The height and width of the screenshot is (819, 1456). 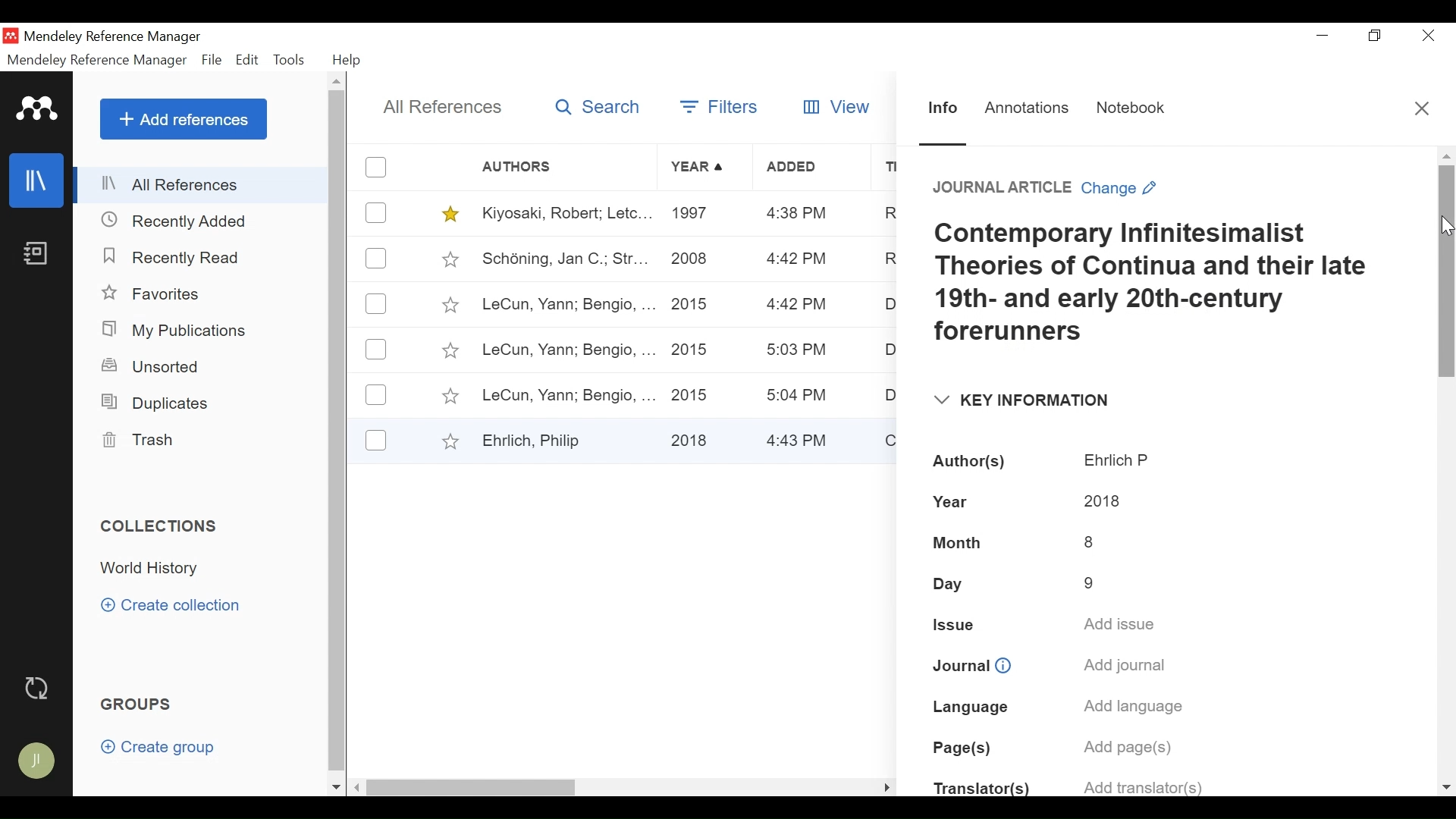 What do you see at coordinates (953, 625) in the screenshot?
I see `Issue` at bounding box center [953, 625].